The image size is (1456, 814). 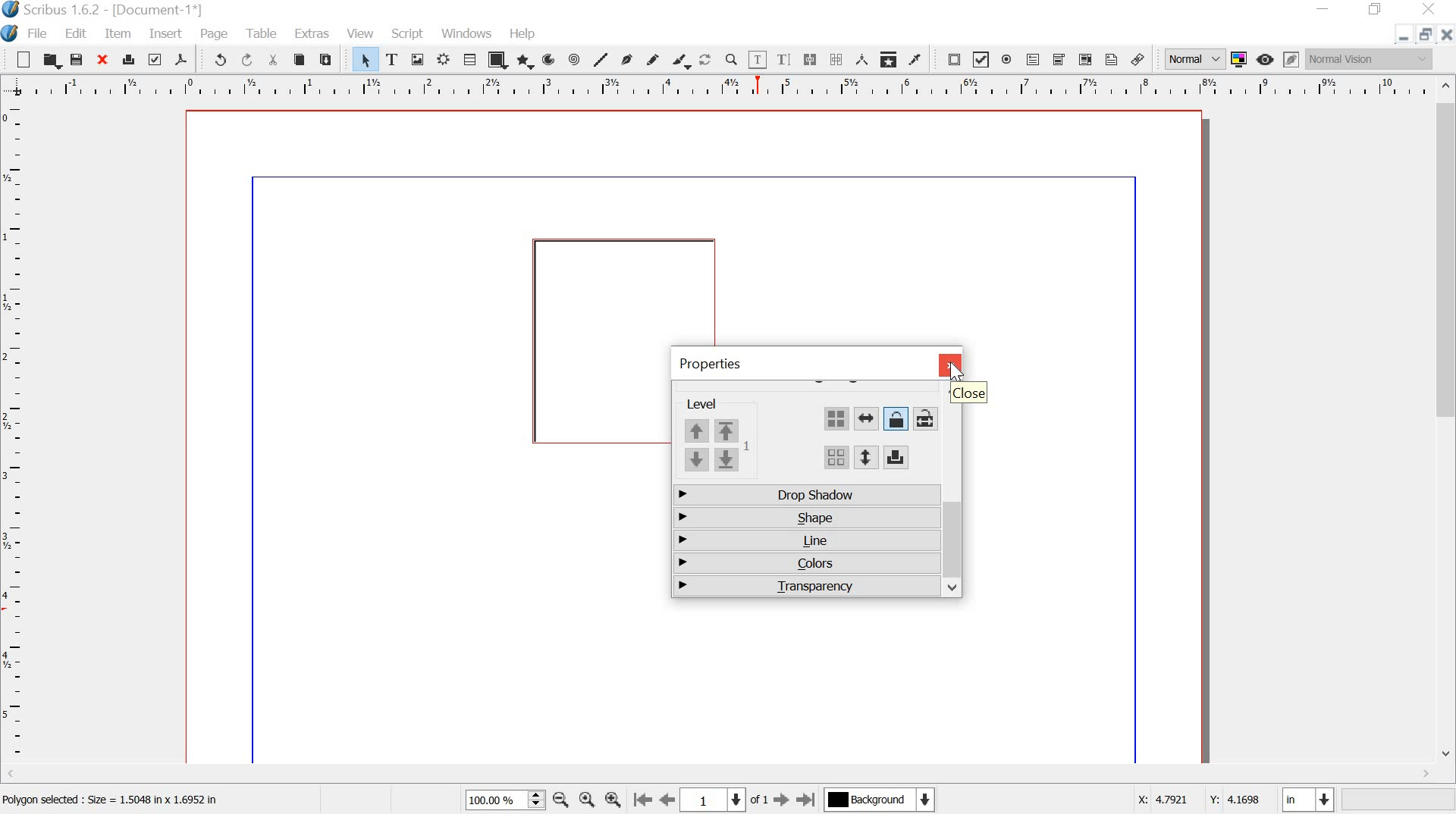 What do you see at coordinates (864, 458) in the screenshot?
I see `flip vertically` at bounding box center [864, 458].